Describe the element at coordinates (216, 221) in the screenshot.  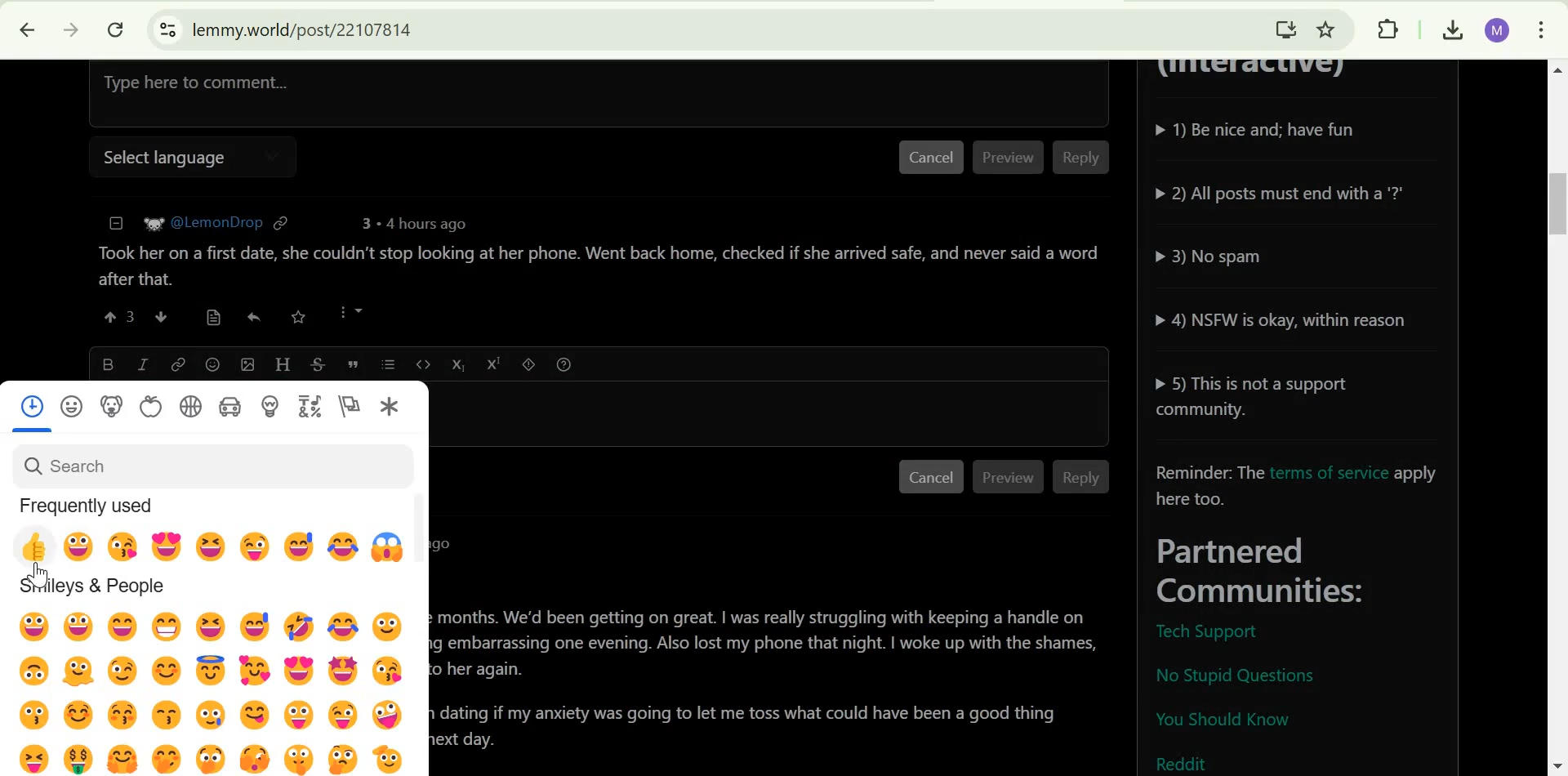
I see `user ID` at that location.